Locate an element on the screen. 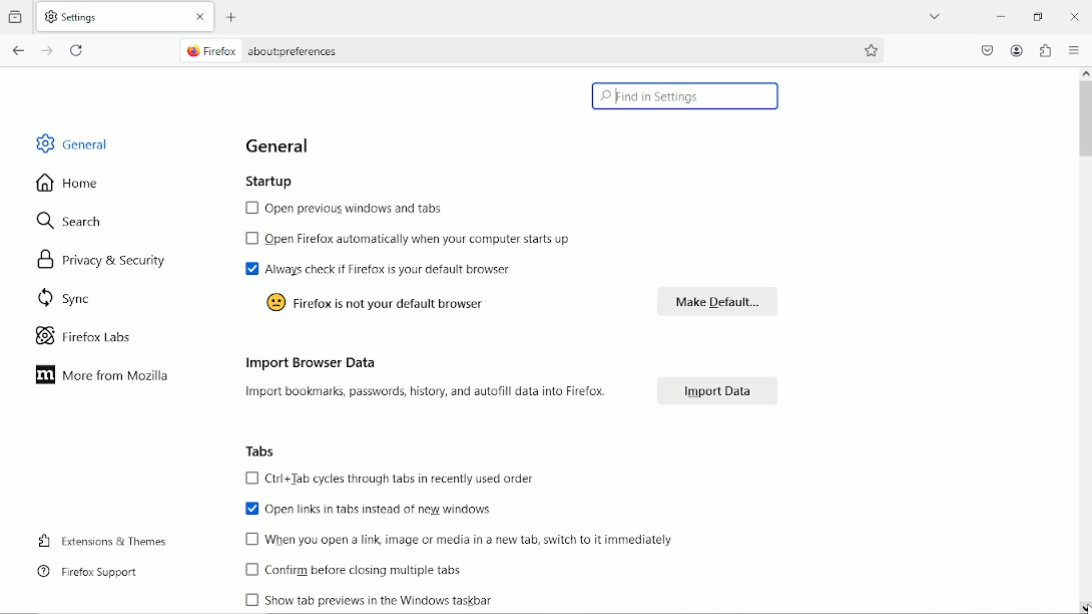  Firefox is not your default browser. is located at coordinates (391, 302).